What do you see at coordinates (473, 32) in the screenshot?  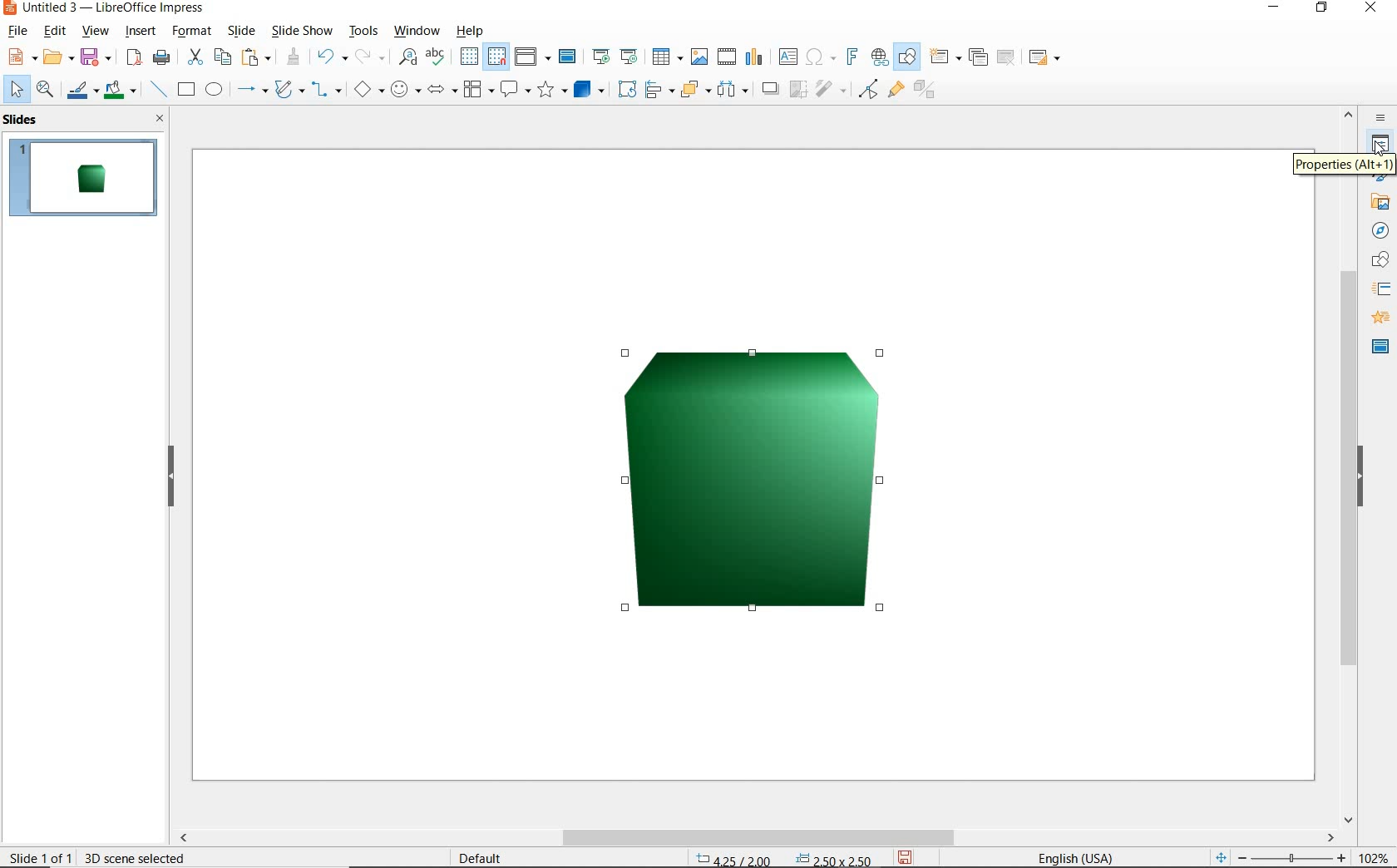 I see `help` at bounding box center [473, 32].